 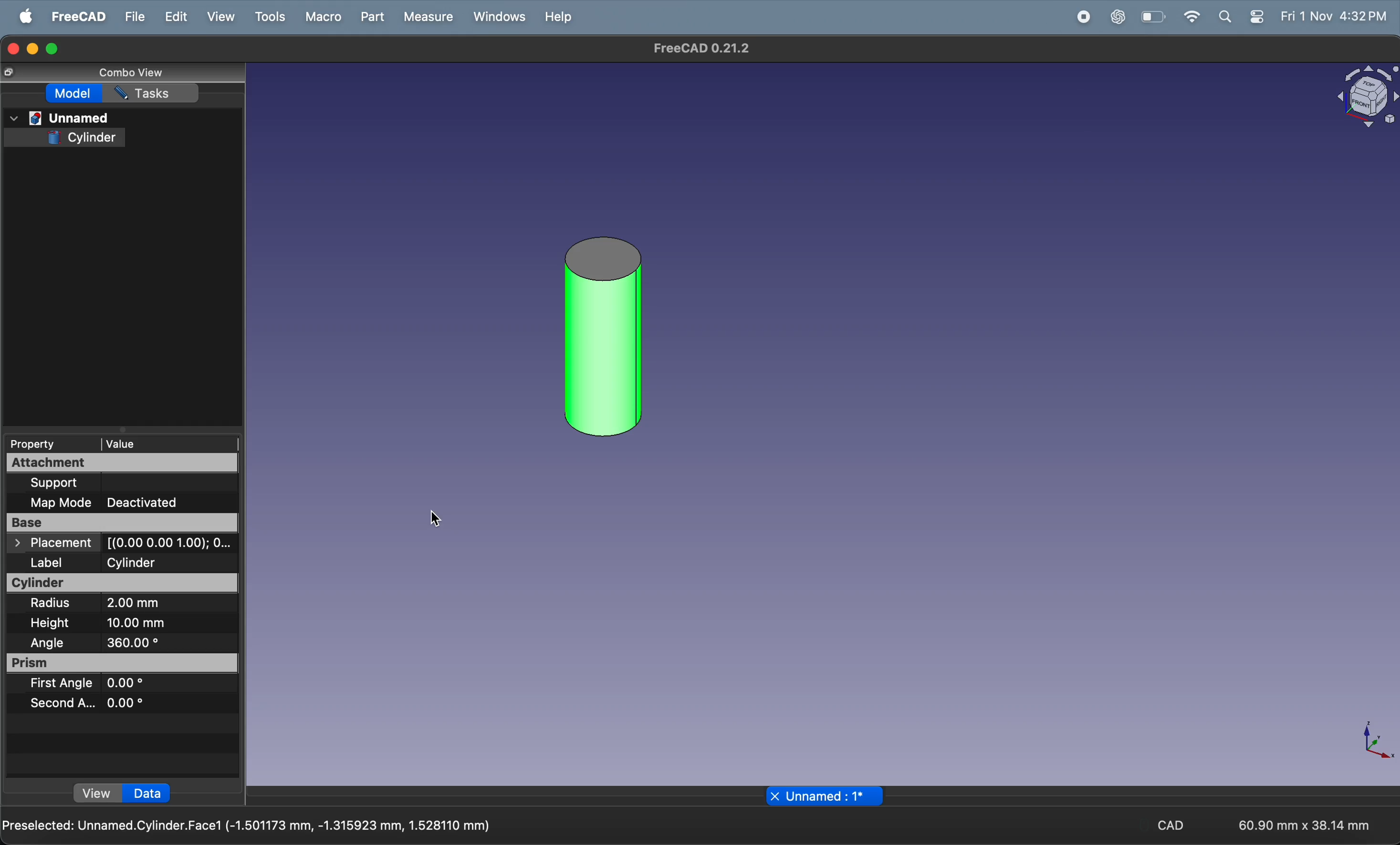 I want to click on file, so click(x=132, y=17).